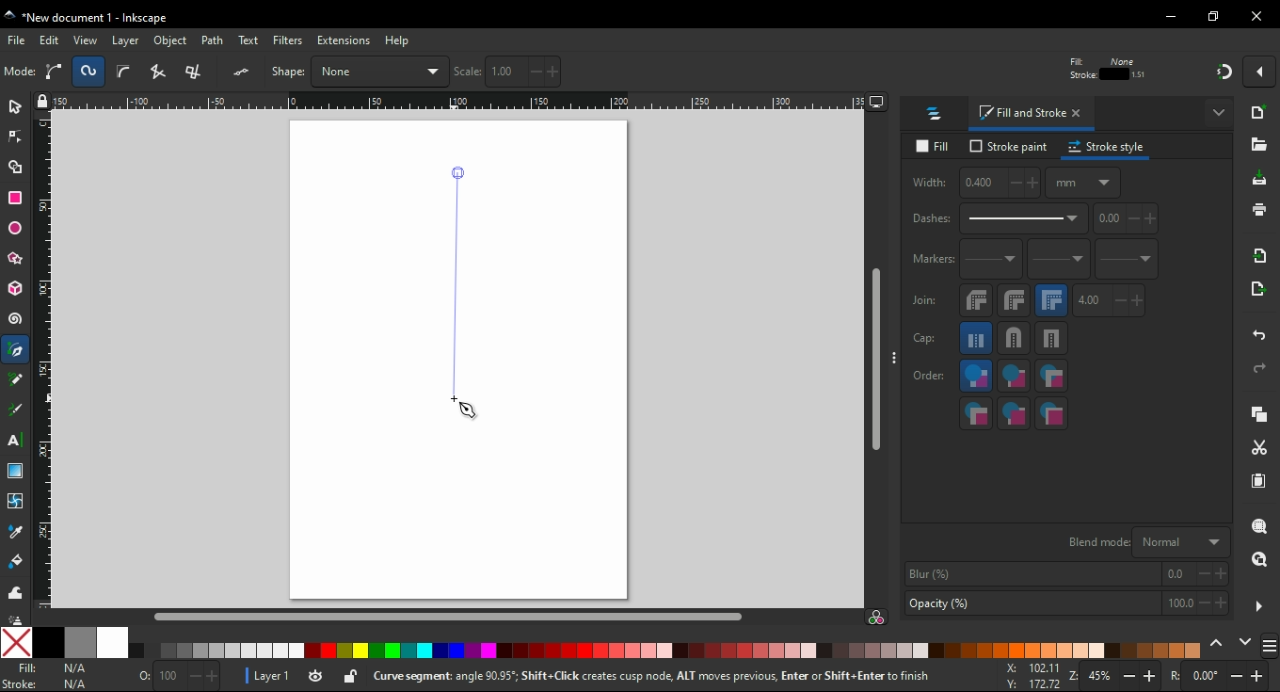 The image size is (1280, 692). What do you see at coordinates (15, 471) in the screenshot?
I see `gradient` at bounding box center [15, 471].